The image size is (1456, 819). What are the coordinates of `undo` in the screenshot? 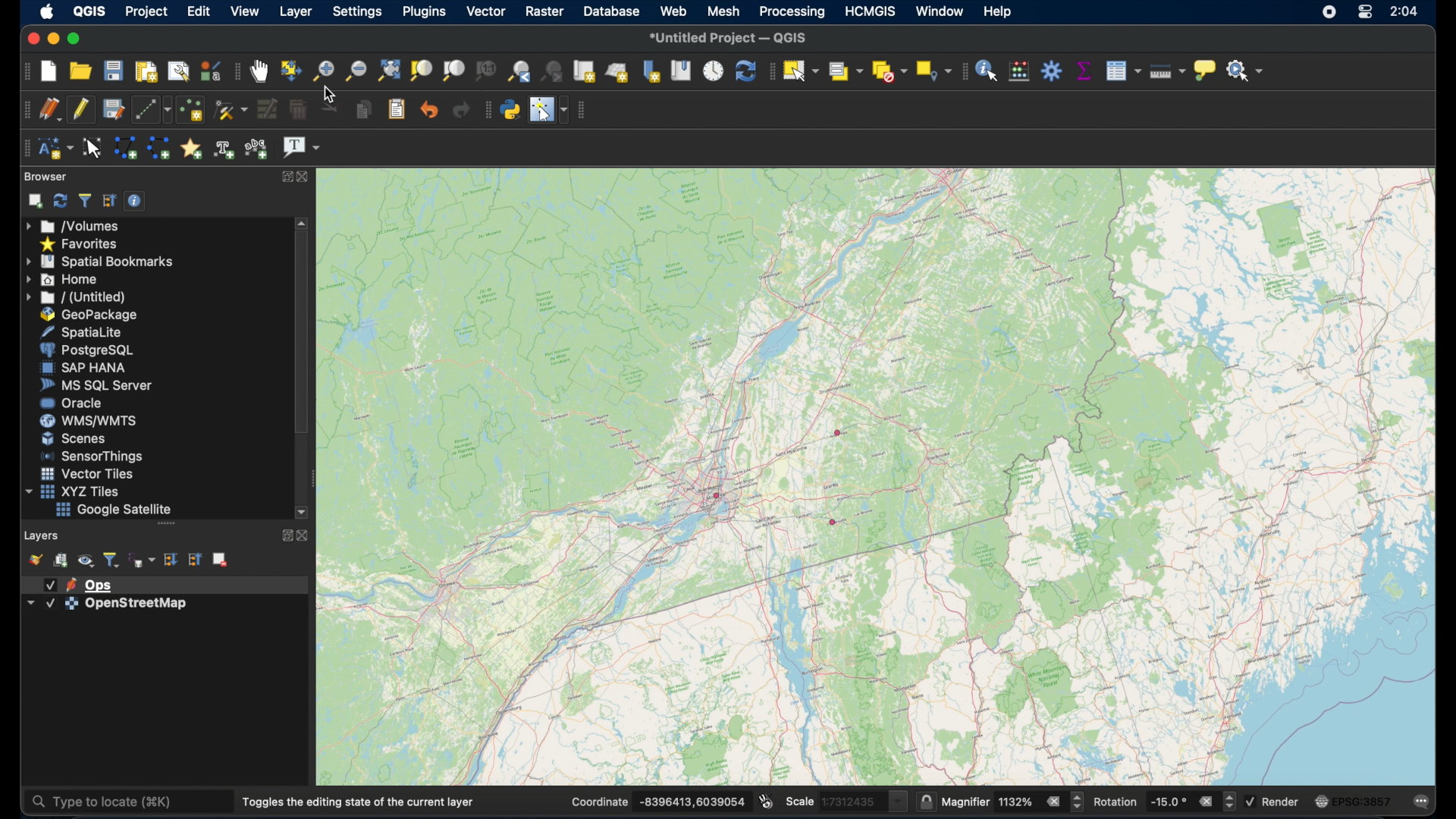 It's located at (427, 110).